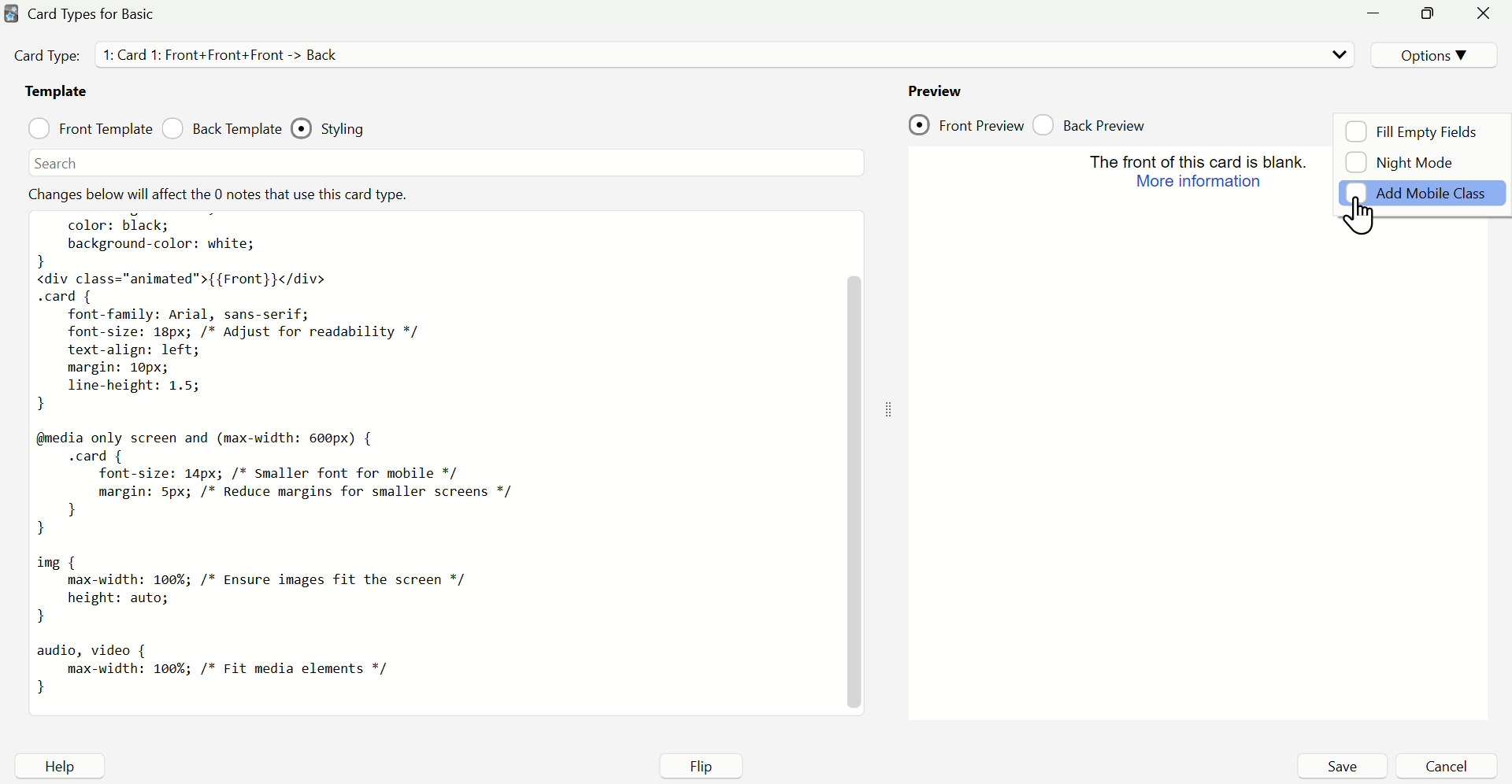 This screenshot has height=784, width=1512. Describe the element at coordinates (57, 767) in the screenshot. I see `Help` at that location.